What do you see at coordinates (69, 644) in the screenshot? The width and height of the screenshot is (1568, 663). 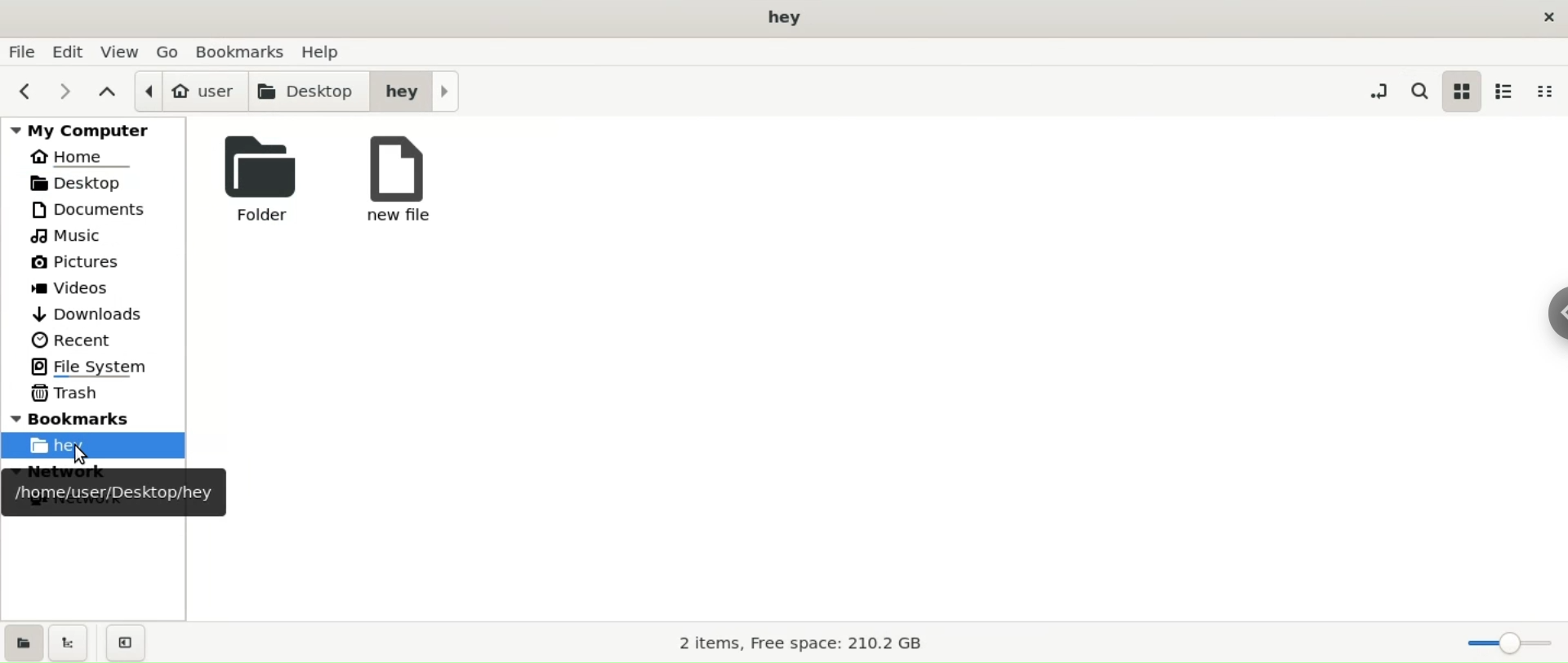 I see `show treeview` at bounding box center [69, 644].